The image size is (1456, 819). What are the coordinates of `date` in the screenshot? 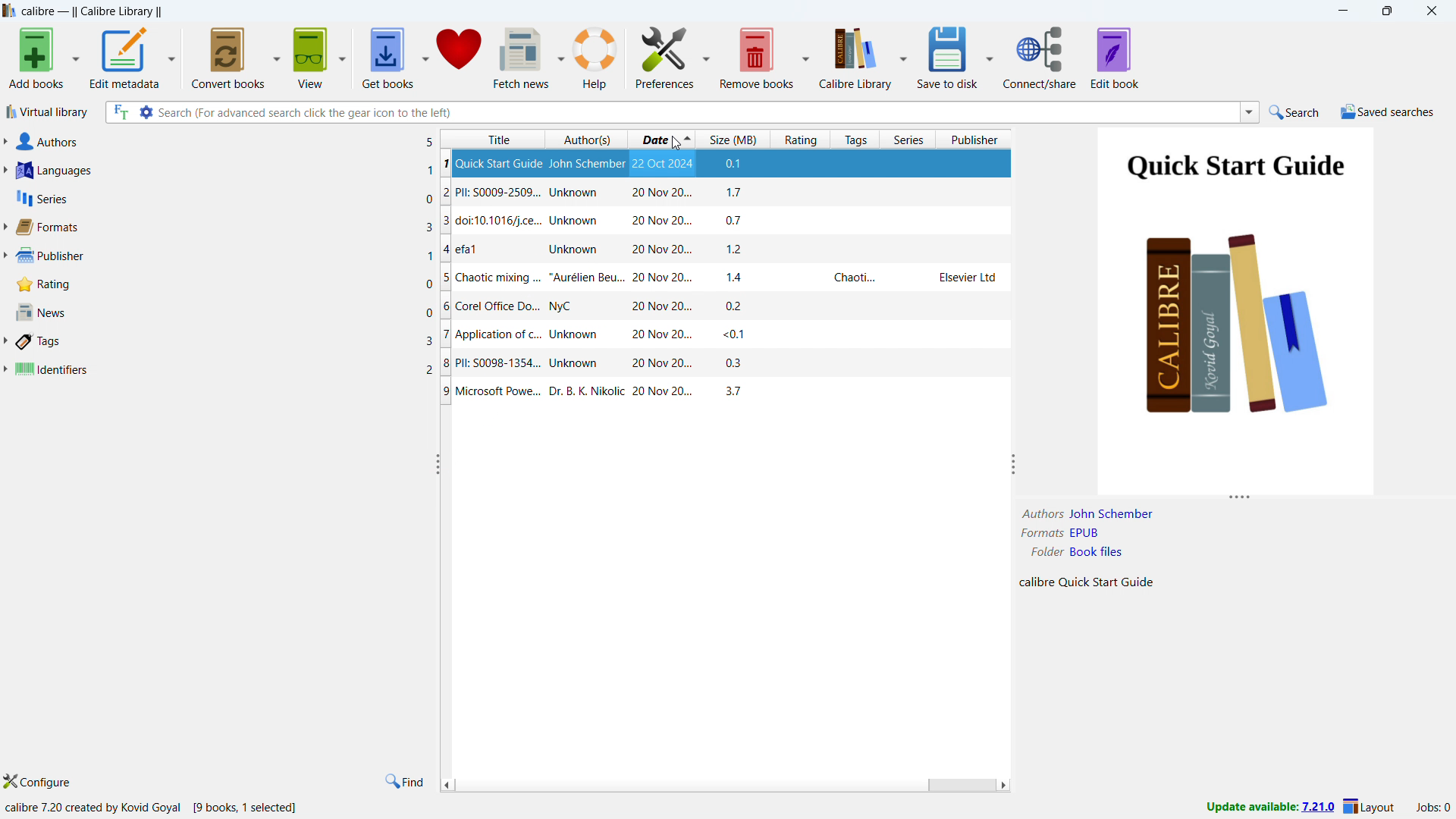 It's located at (662, 140).